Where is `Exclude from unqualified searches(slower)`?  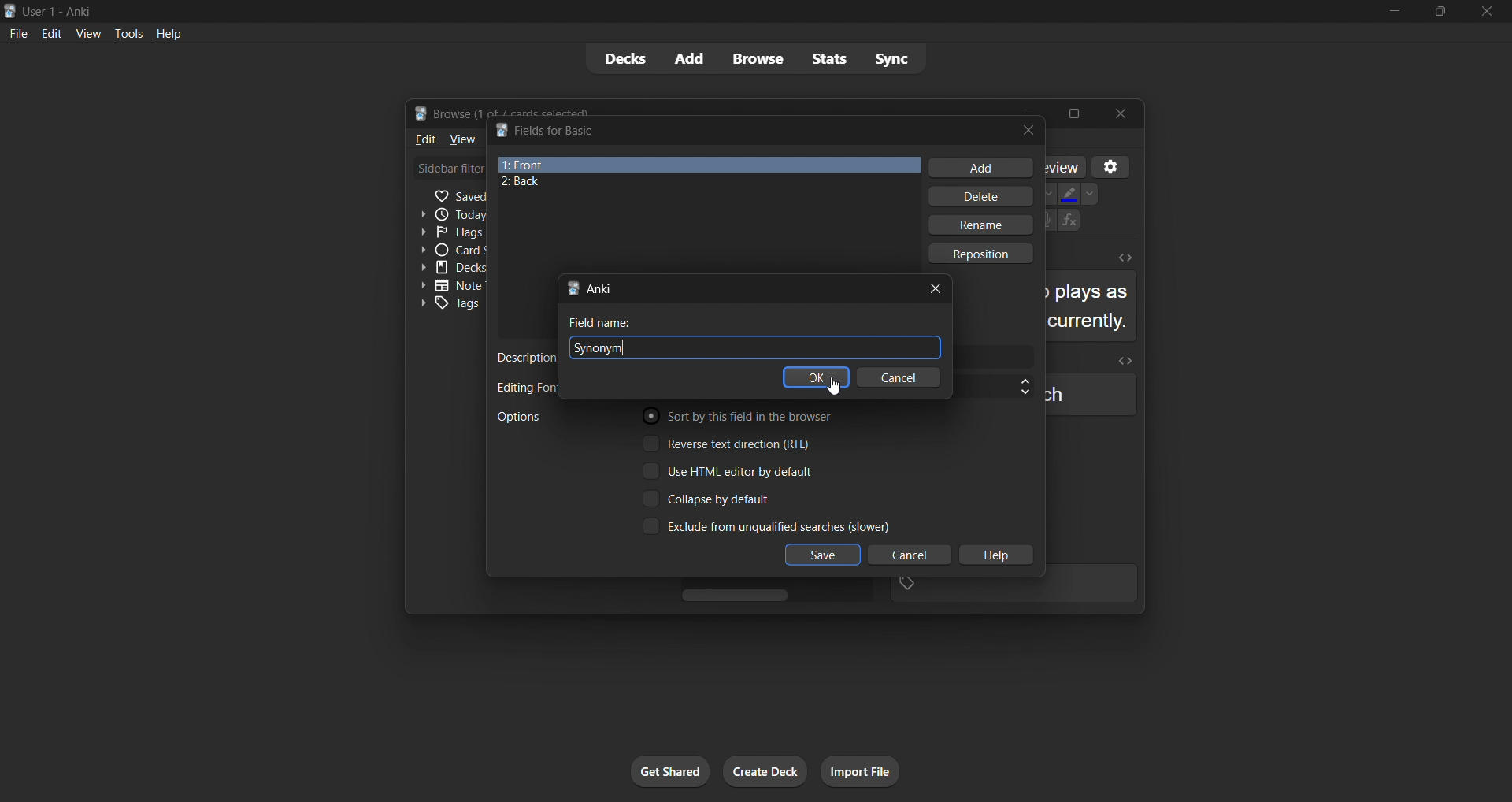 Exclude from unqualified searches(slower) is located at coordinates (762, 527).